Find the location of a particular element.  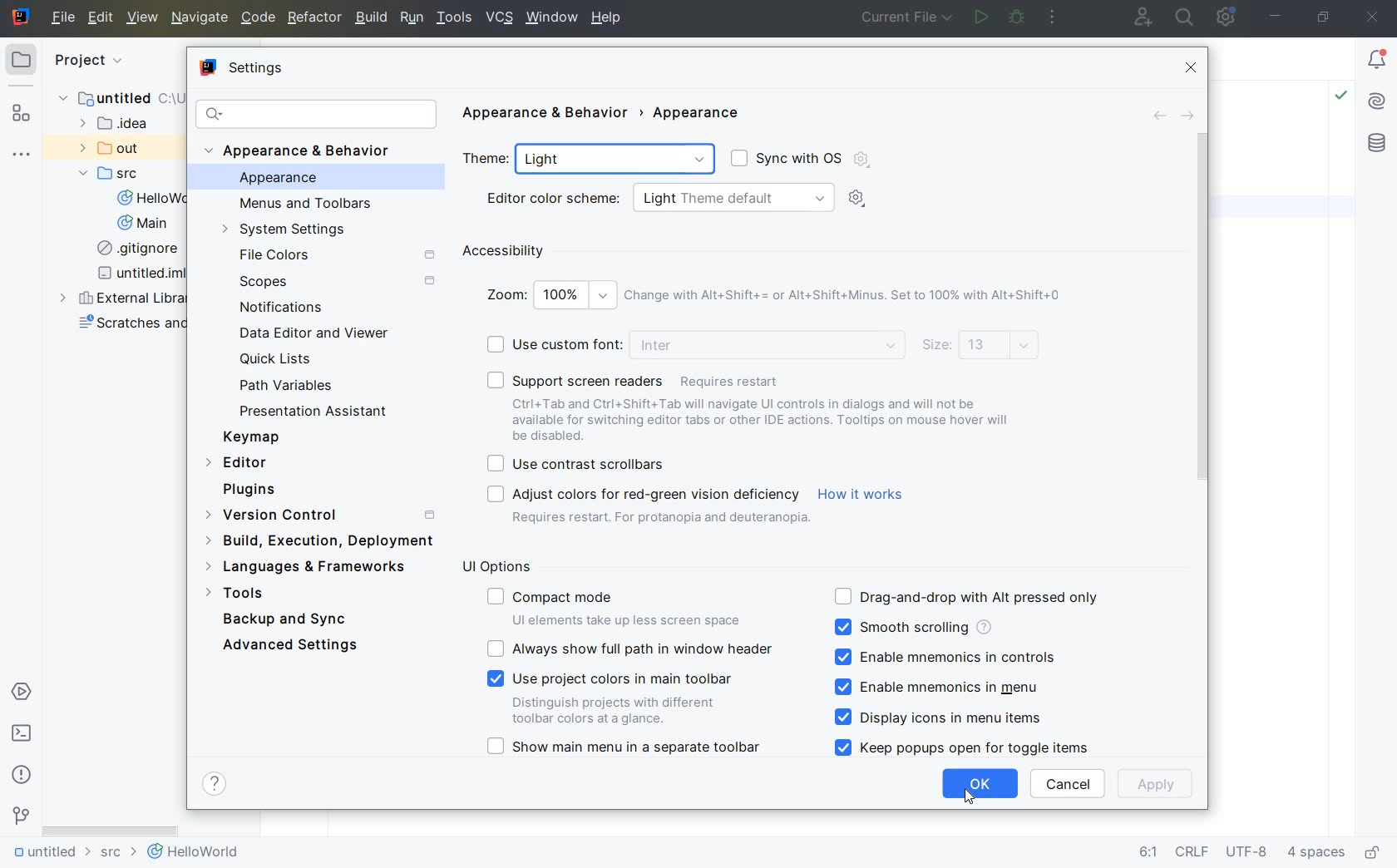

TOOLS is located at coordinates (250, 594).